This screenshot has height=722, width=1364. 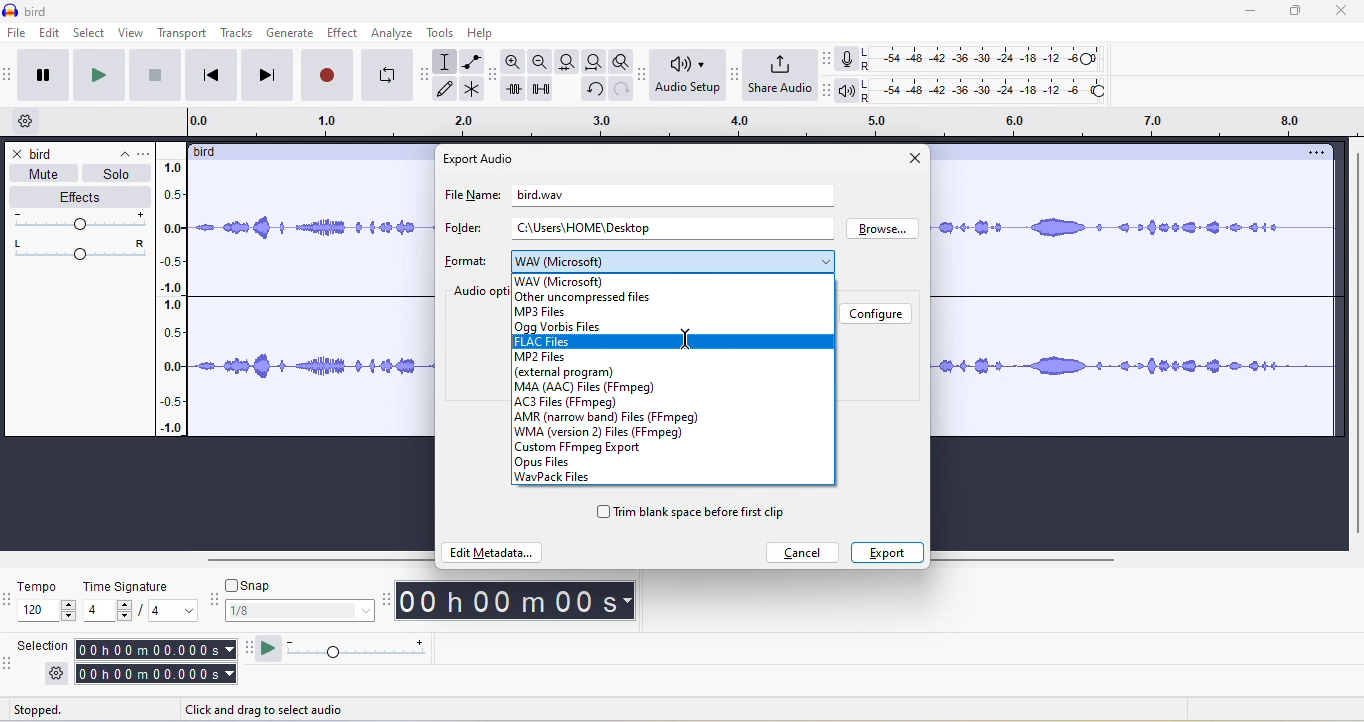 I want to click on play at speed, so click(x=365, y=651).